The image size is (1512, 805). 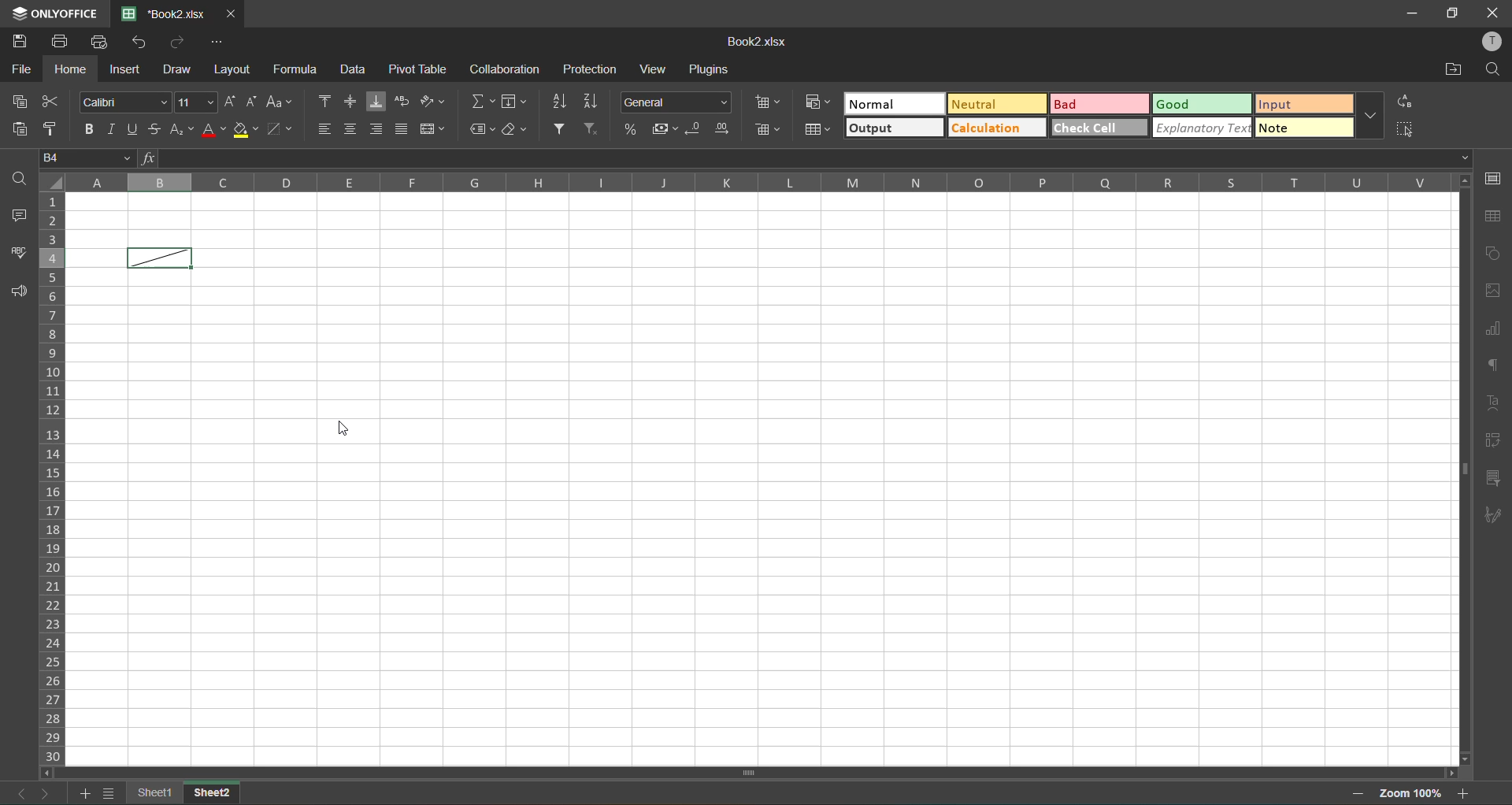 What do you see at coordinates (577, 774) in the screenshot?
I see `scrollbar` at bounding box center [577, 774].